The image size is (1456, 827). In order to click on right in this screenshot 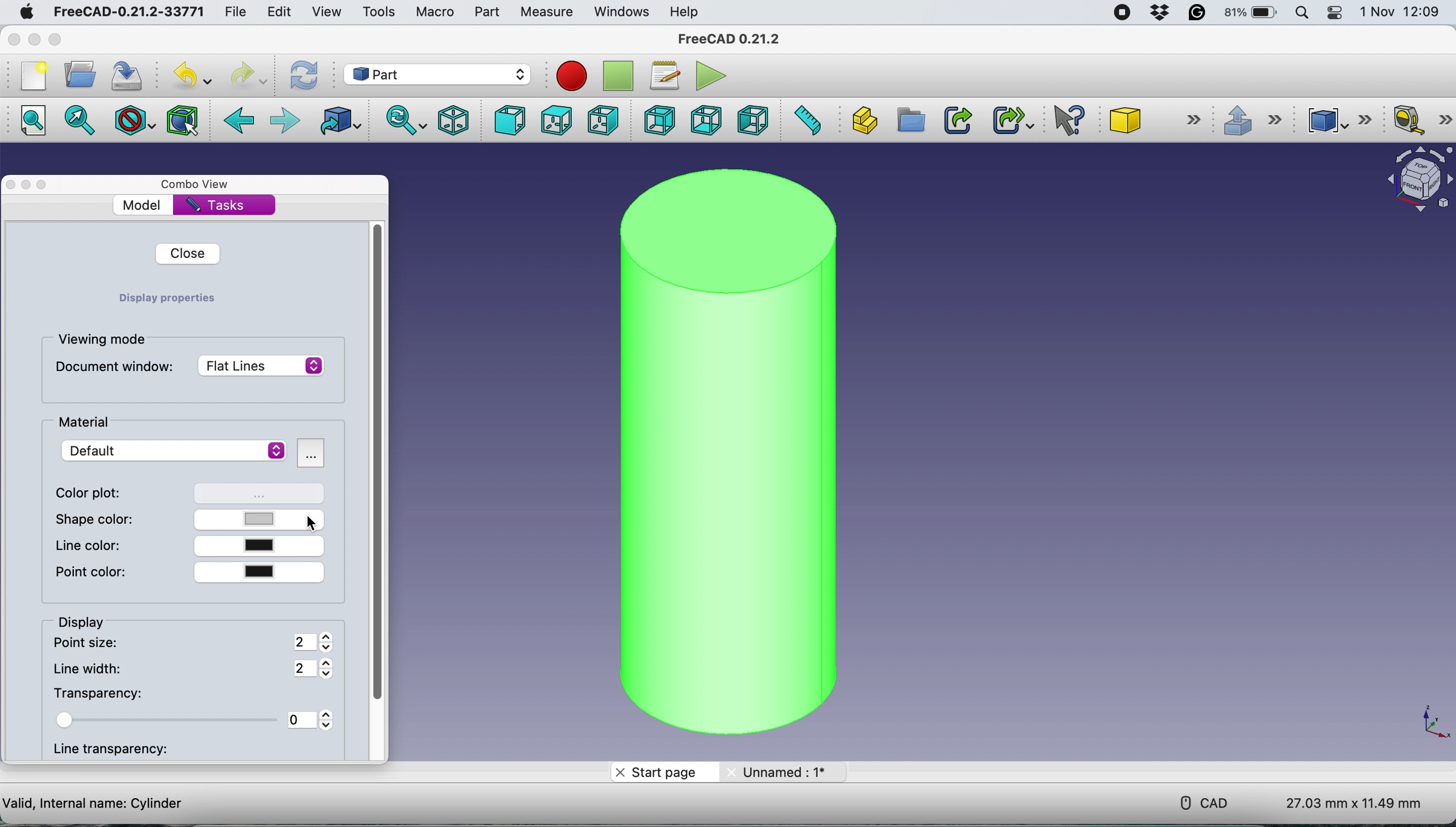, I will do `click(602, 120)`.